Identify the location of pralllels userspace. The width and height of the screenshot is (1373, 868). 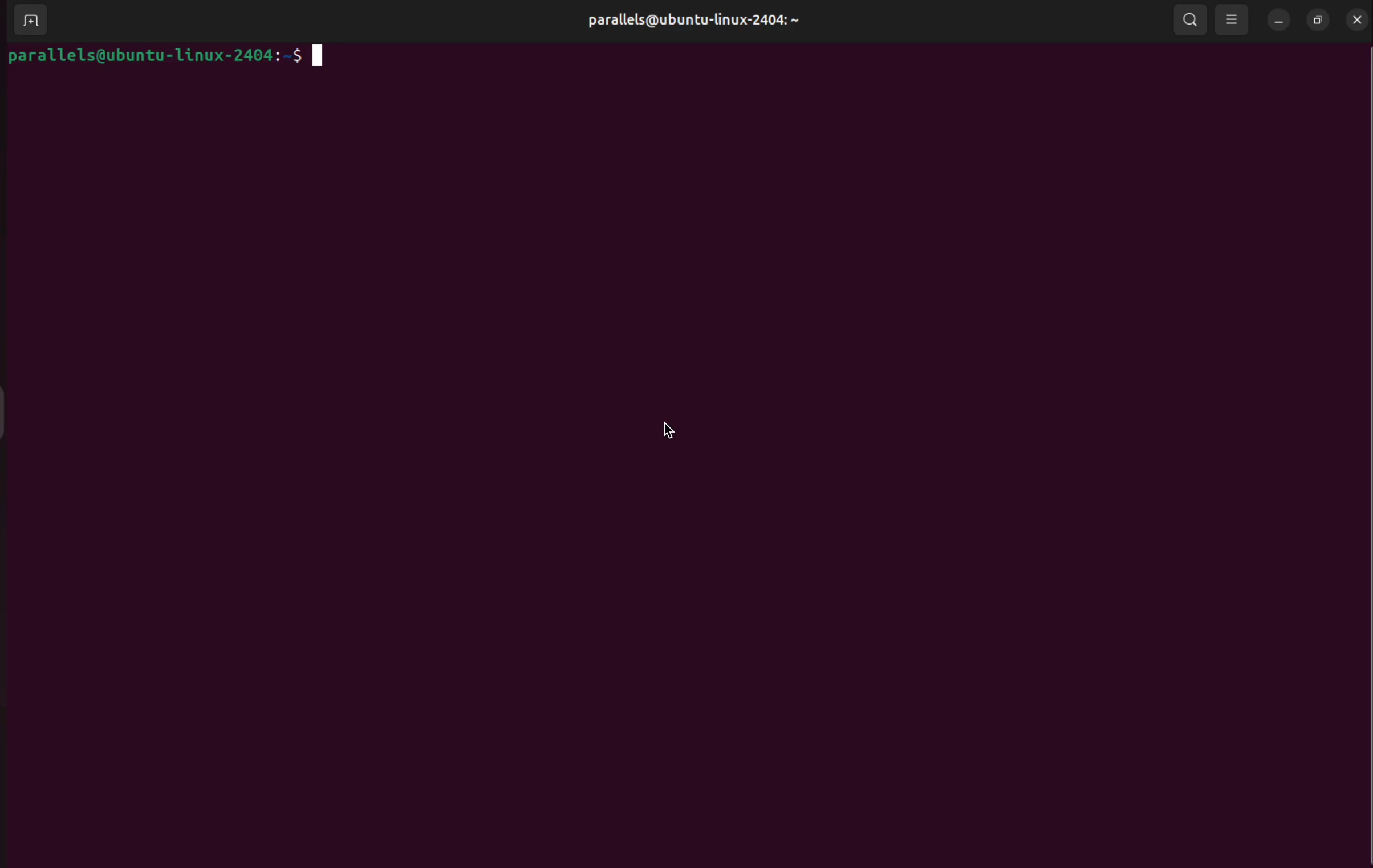
(687, 22).